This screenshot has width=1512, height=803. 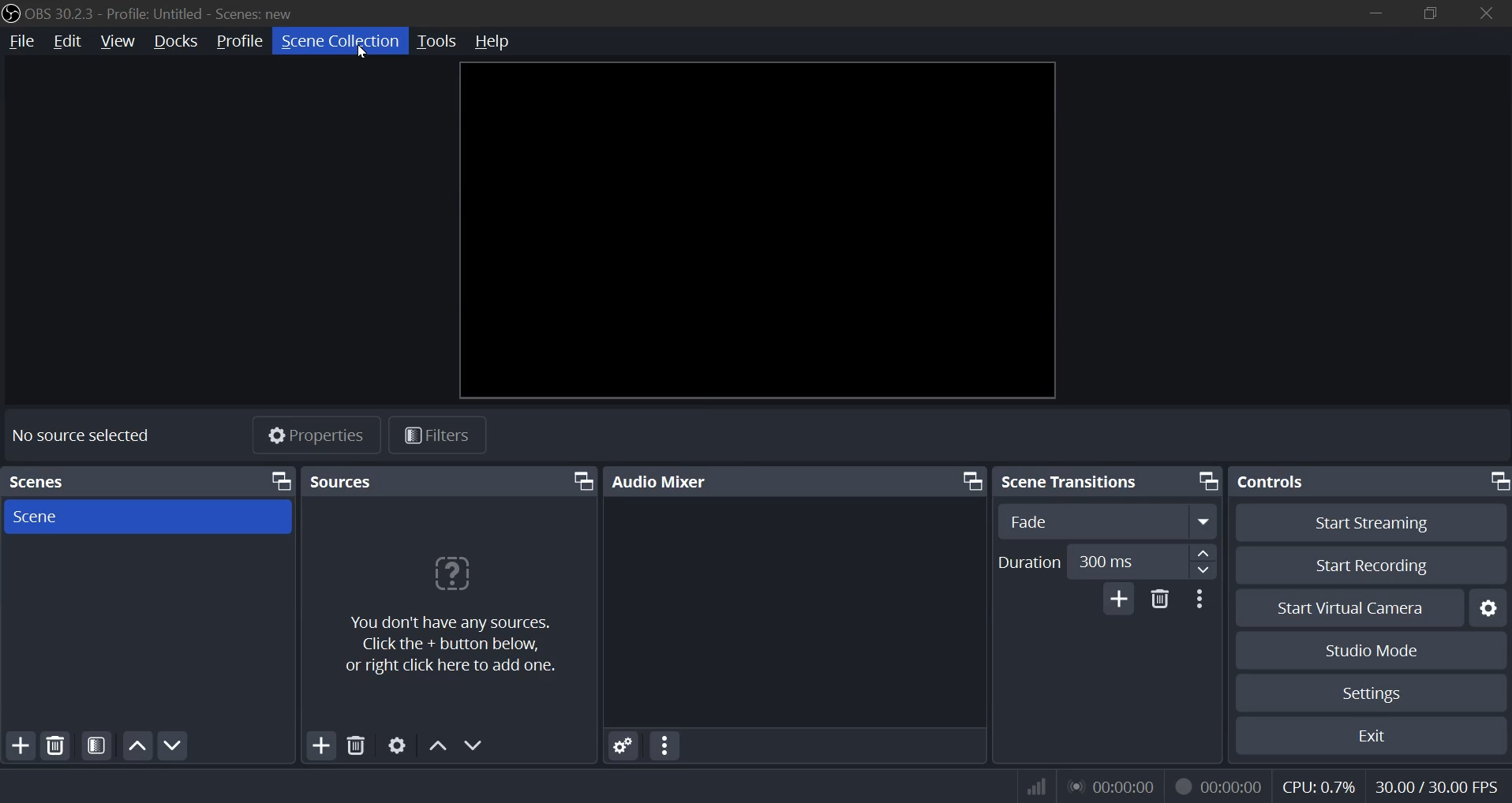 What do you see at coordinates (1107, 560) in the screenshot?
I see `duration number` at bounding box center [1107, 560].